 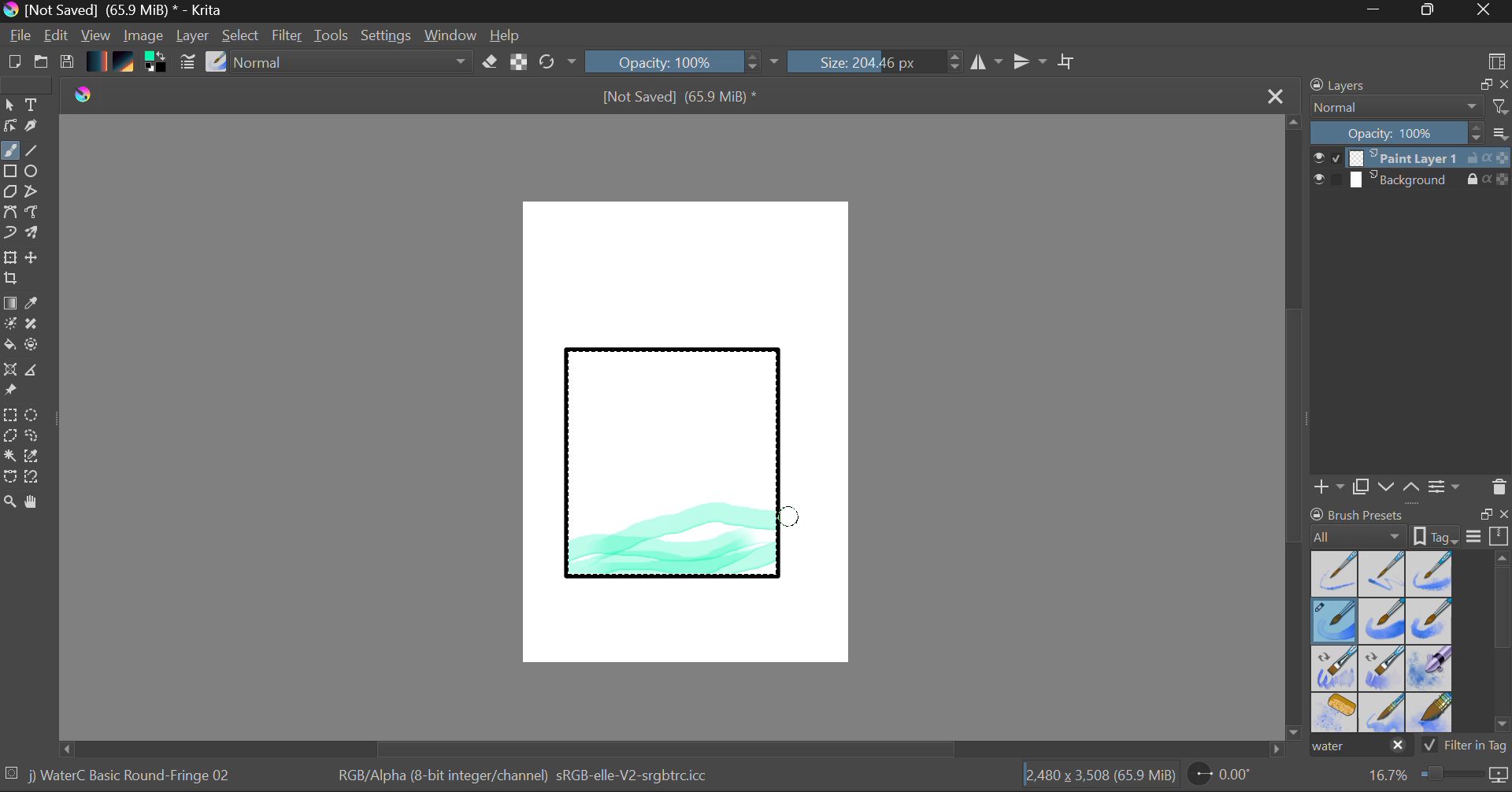 I want to click on Horizontal Mirror Flip, so click(x=1033, y=63).